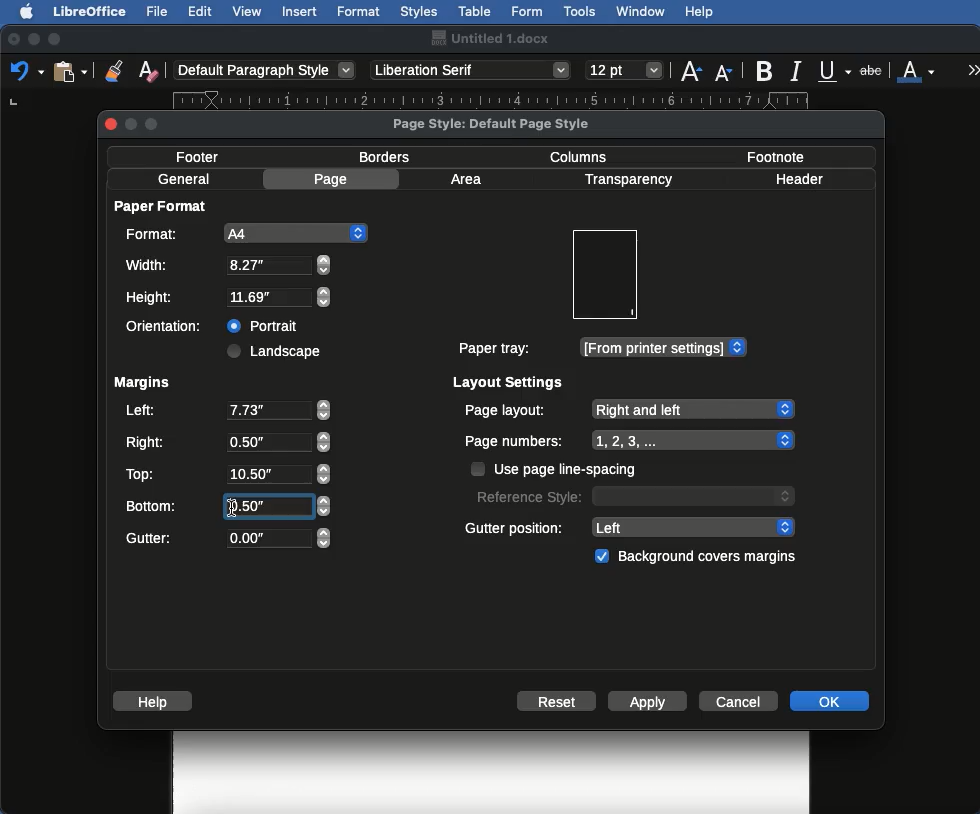  Describe the element at coordinates (14, 40) in the screenshot. I see `Close` at that location.